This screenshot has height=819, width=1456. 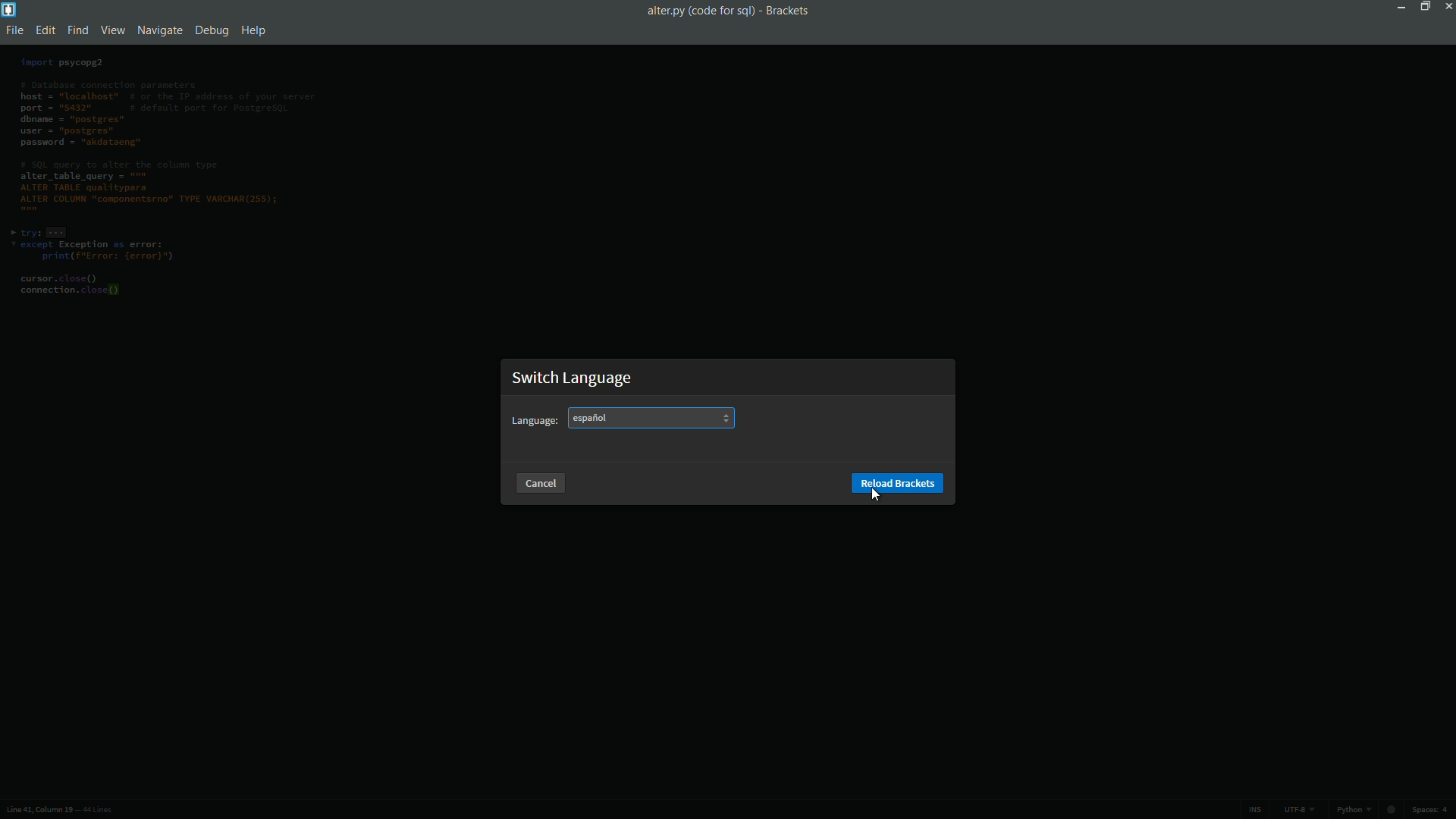 I want to click on maximize, so click(x=1423, y=8).